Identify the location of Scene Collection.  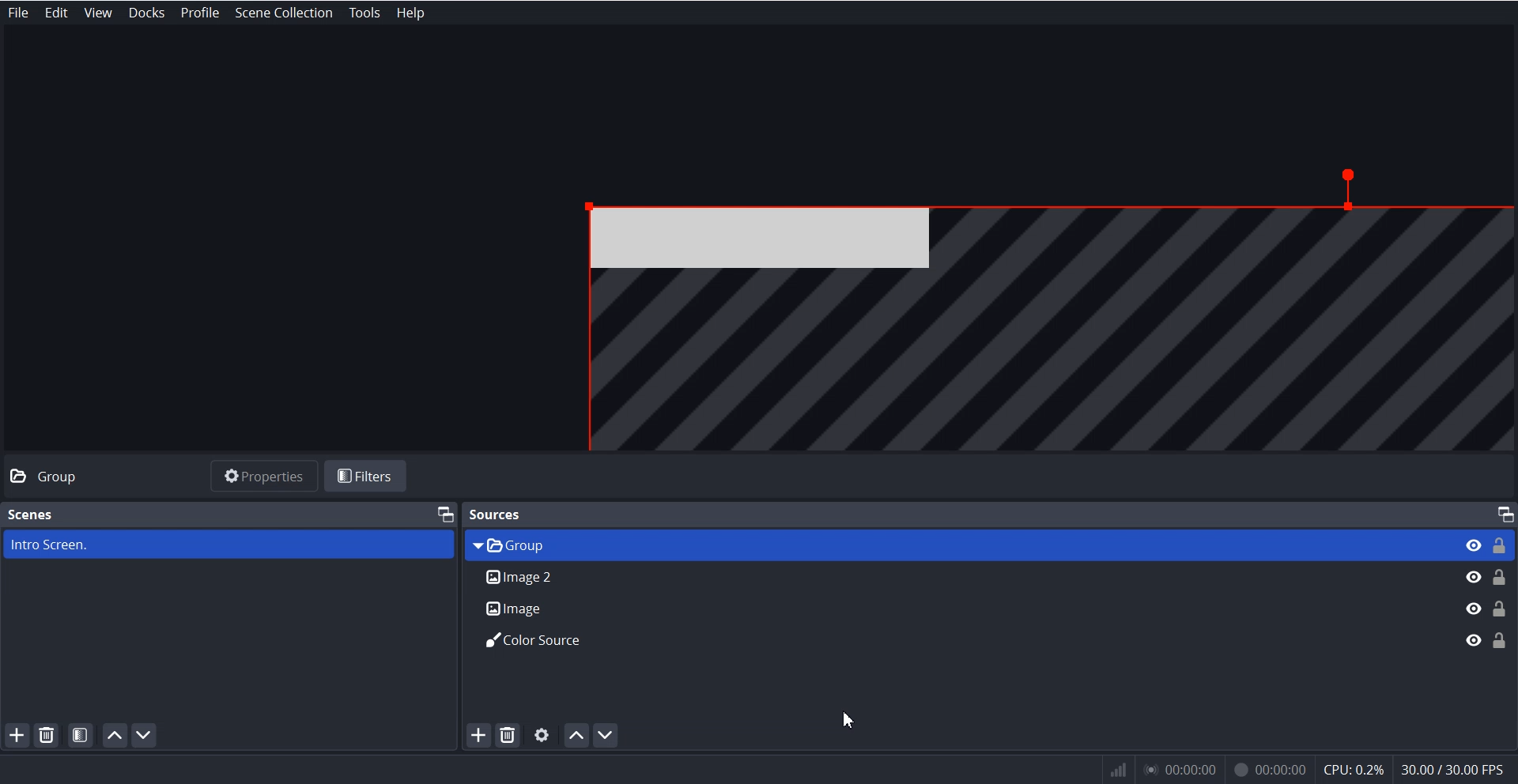
(285, 13).